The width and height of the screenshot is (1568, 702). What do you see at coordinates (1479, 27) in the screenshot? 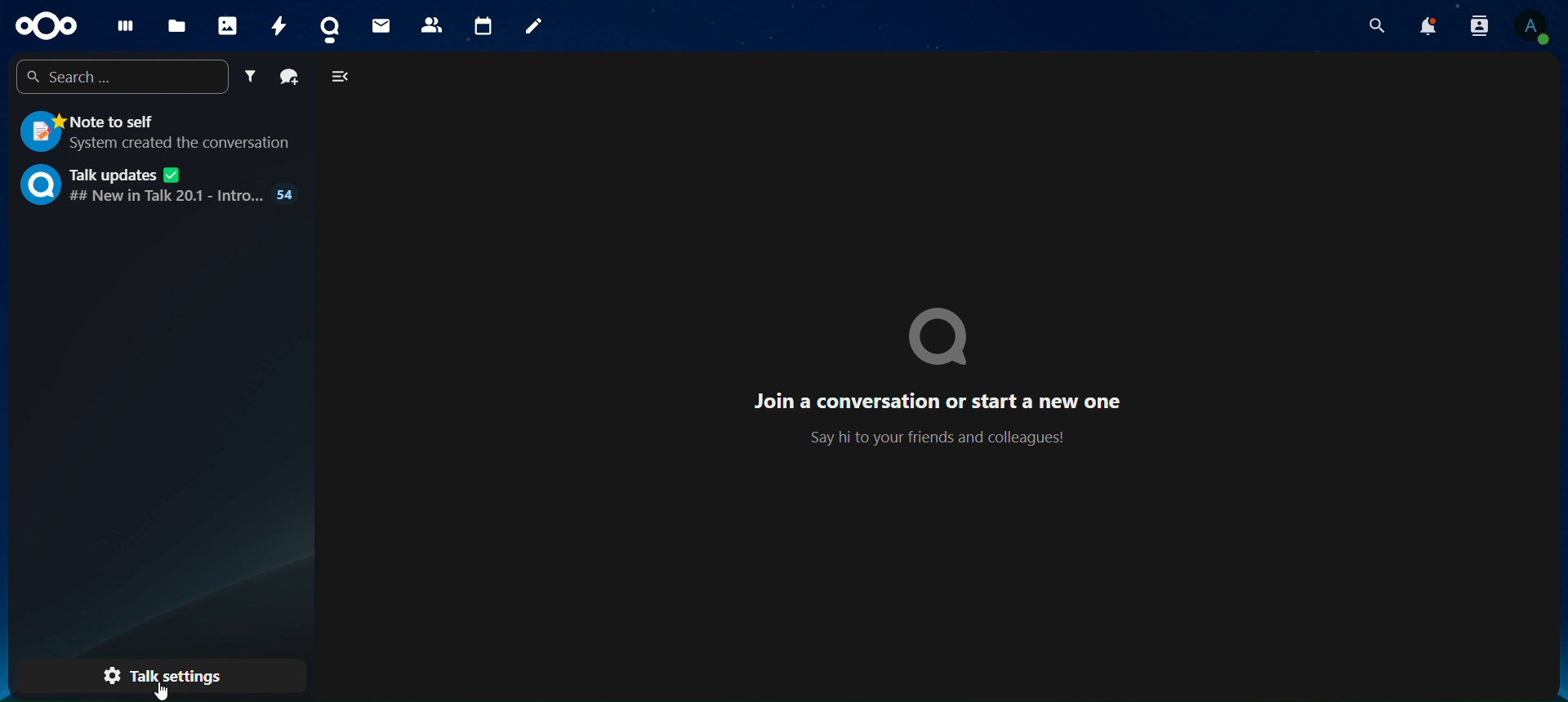
I see `search notifications` at bounding box center [1479, 27].